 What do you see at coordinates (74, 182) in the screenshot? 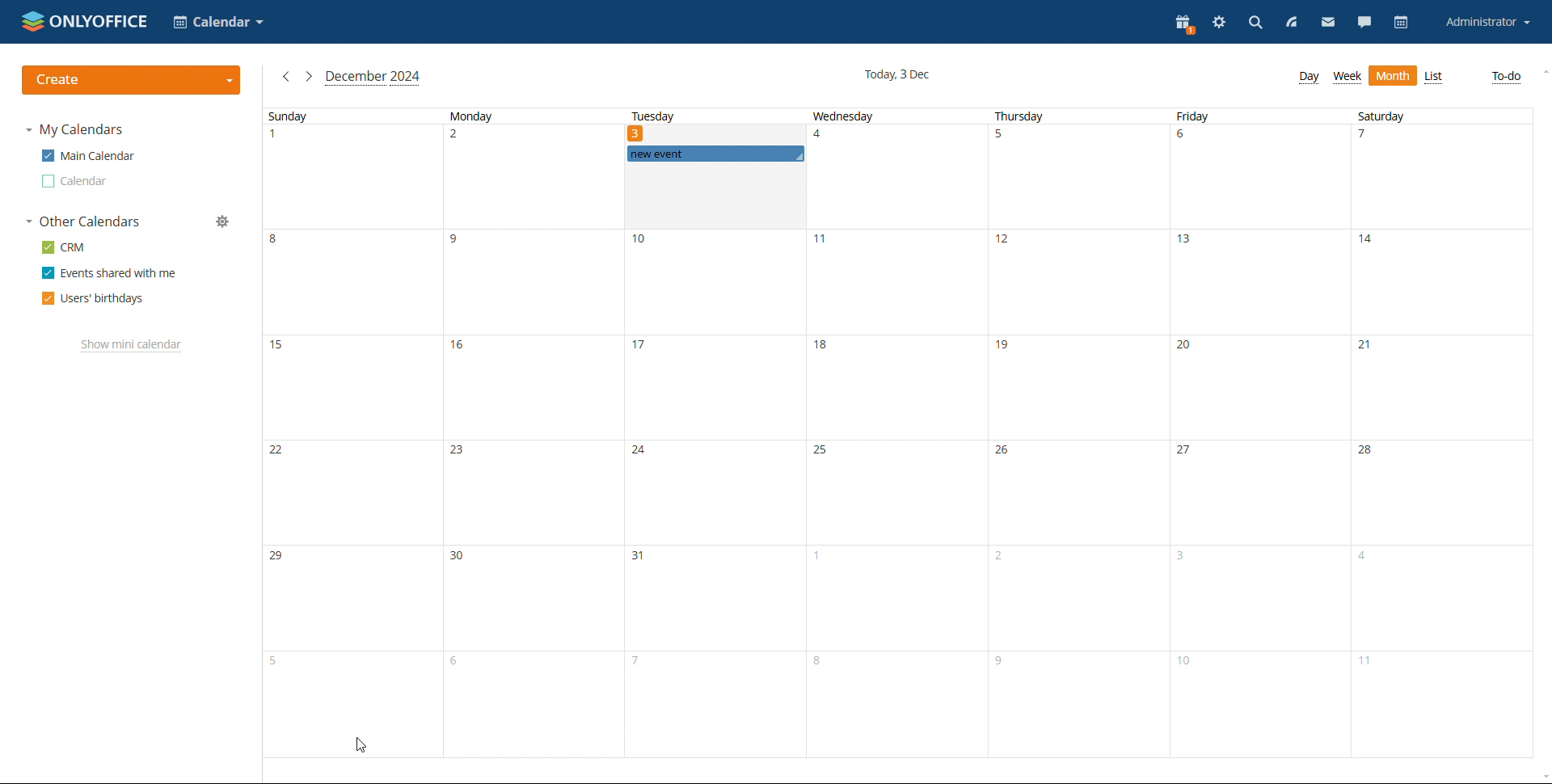
I see `other calendar` at bounding box center [74, 182].